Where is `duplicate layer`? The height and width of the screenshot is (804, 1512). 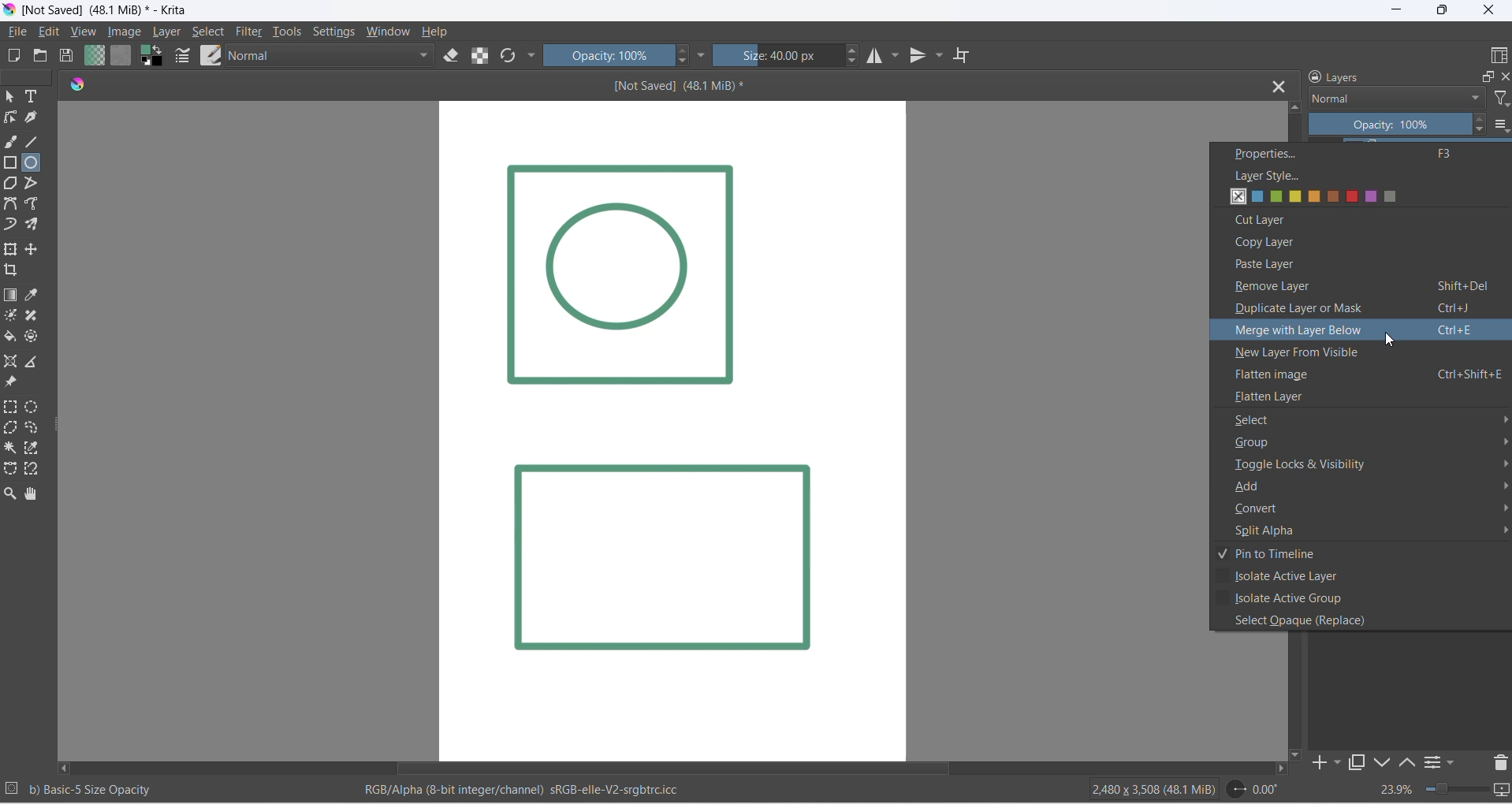
duplicate layer is located at coordinates (1351, 307).